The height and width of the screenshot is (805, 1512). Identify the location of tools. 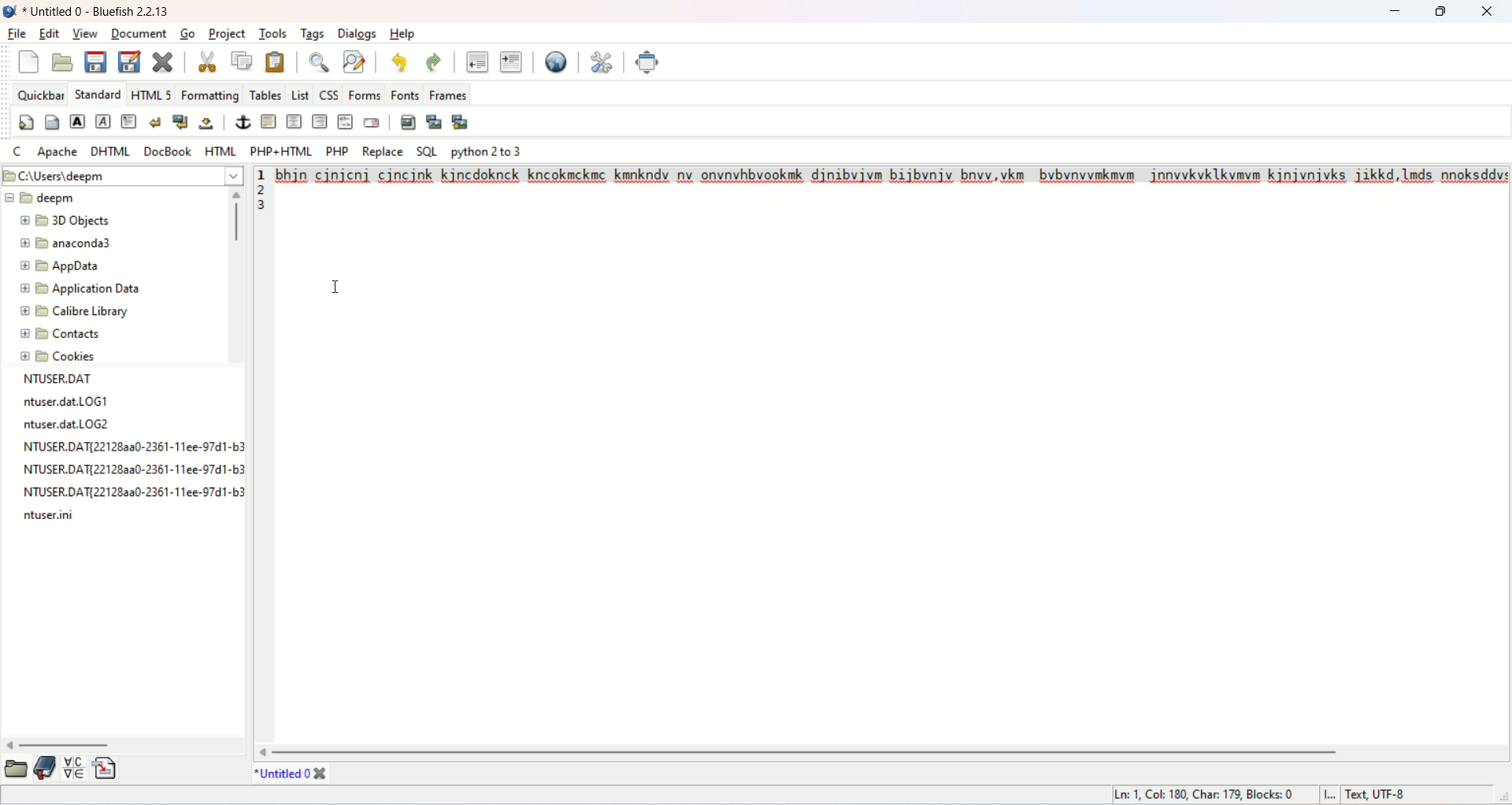
(271, 32).